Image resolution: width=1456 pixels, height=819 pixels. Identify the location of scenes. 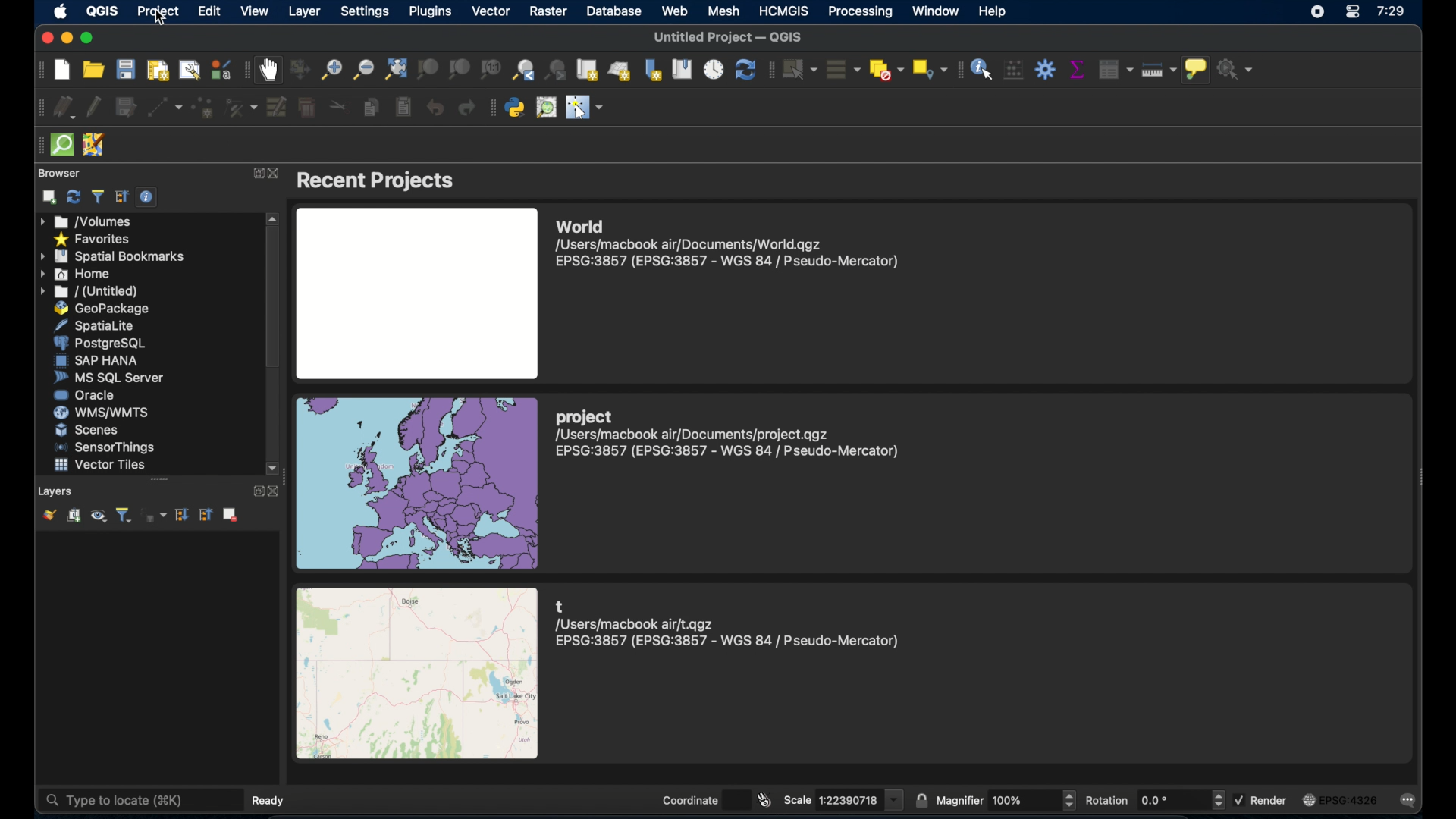
(93, 430).